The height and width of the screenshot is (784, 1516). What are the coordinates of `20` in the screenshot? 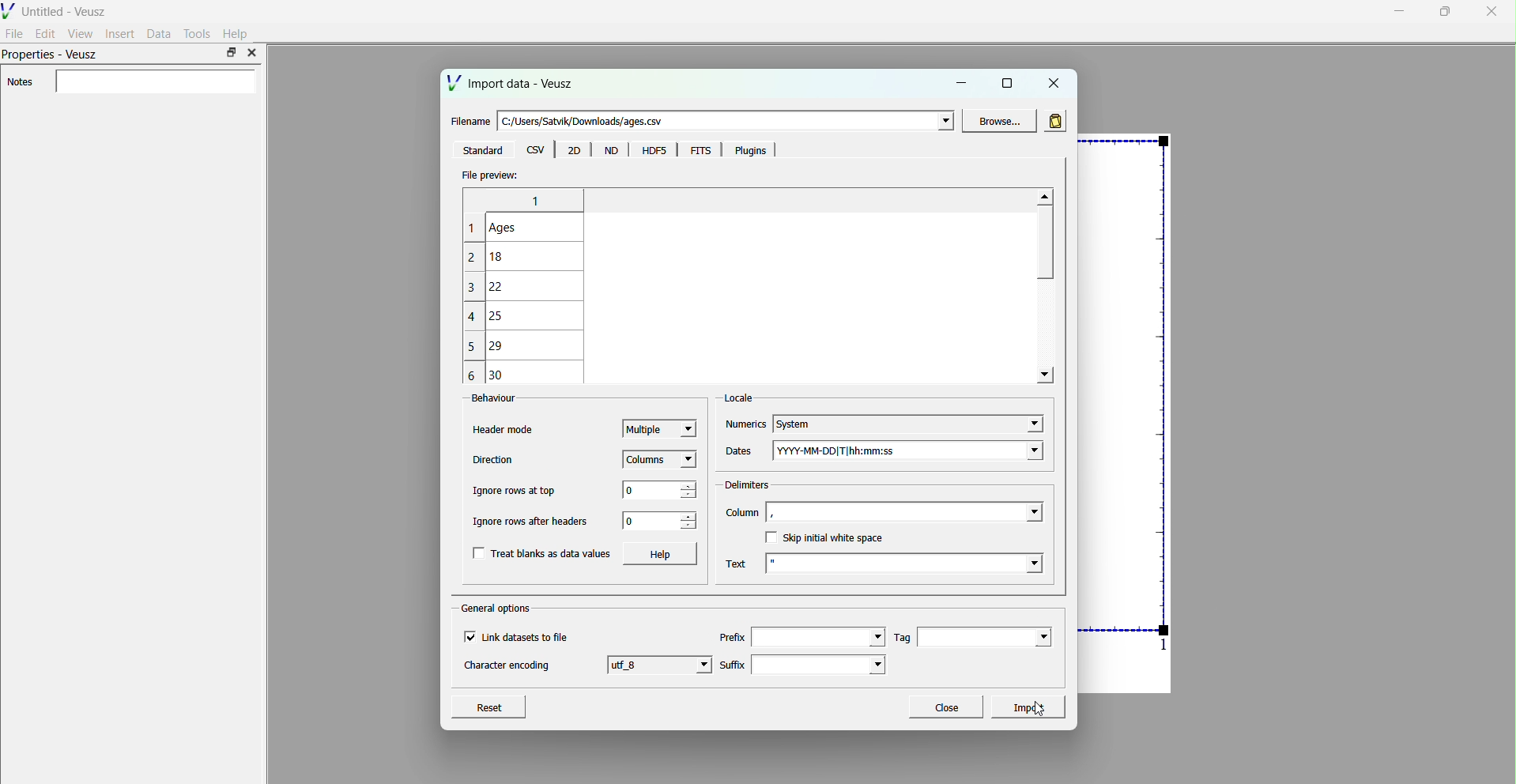 It's located at (575, 151).